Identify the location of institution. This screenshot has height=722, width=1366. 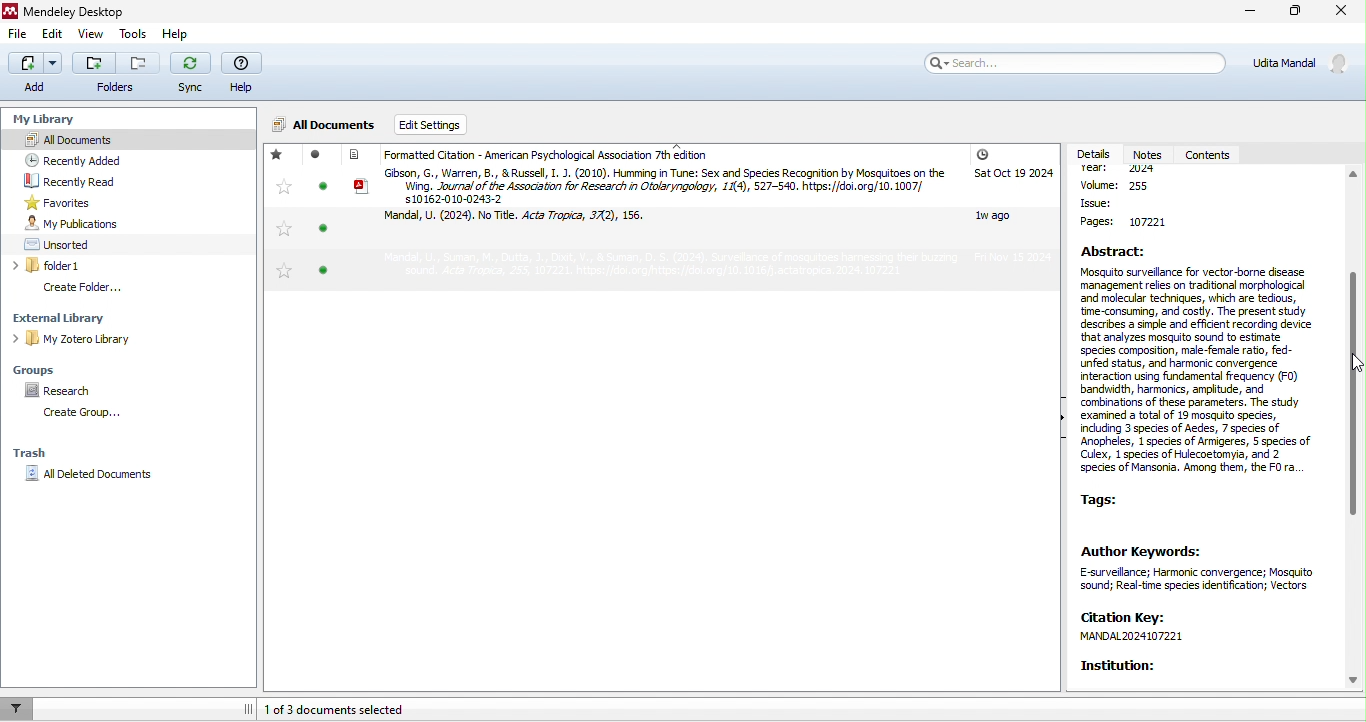
(1140, 666).